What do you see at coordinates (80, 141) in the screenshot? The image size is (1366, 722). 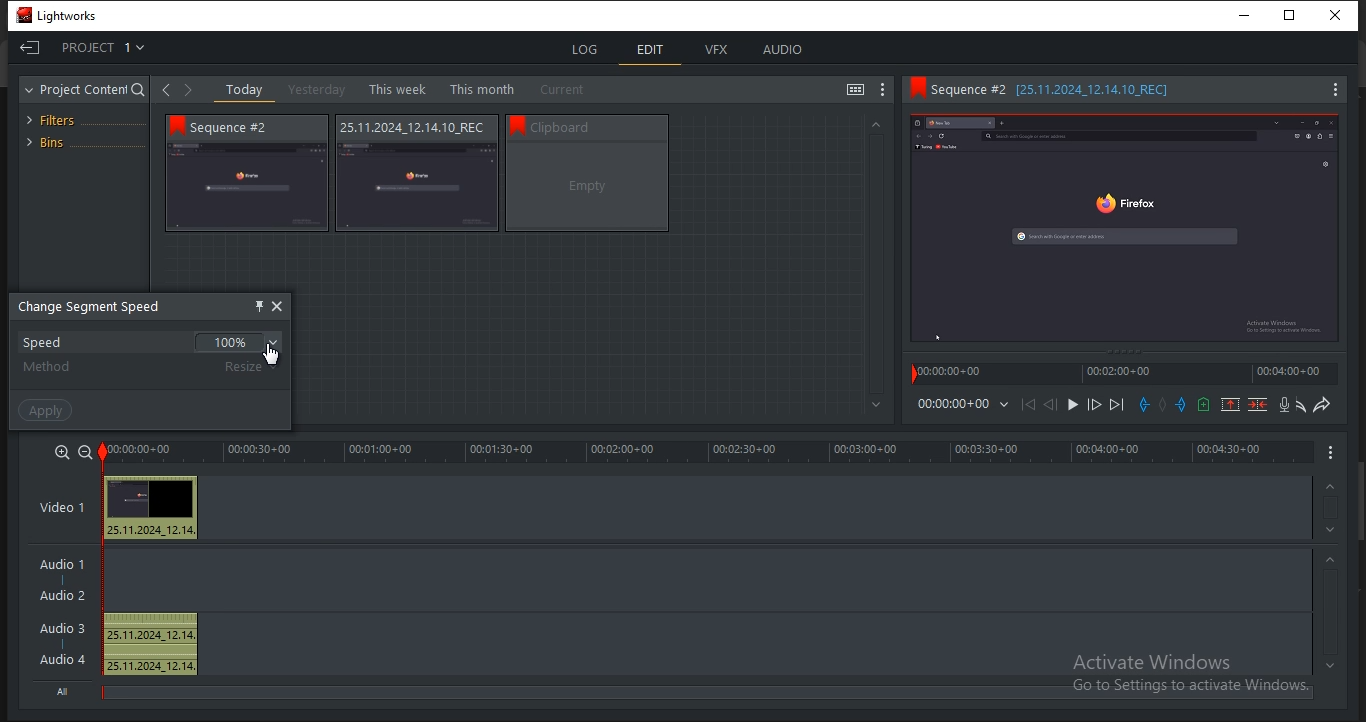 I see `bins` at bounding box center [80, 141].